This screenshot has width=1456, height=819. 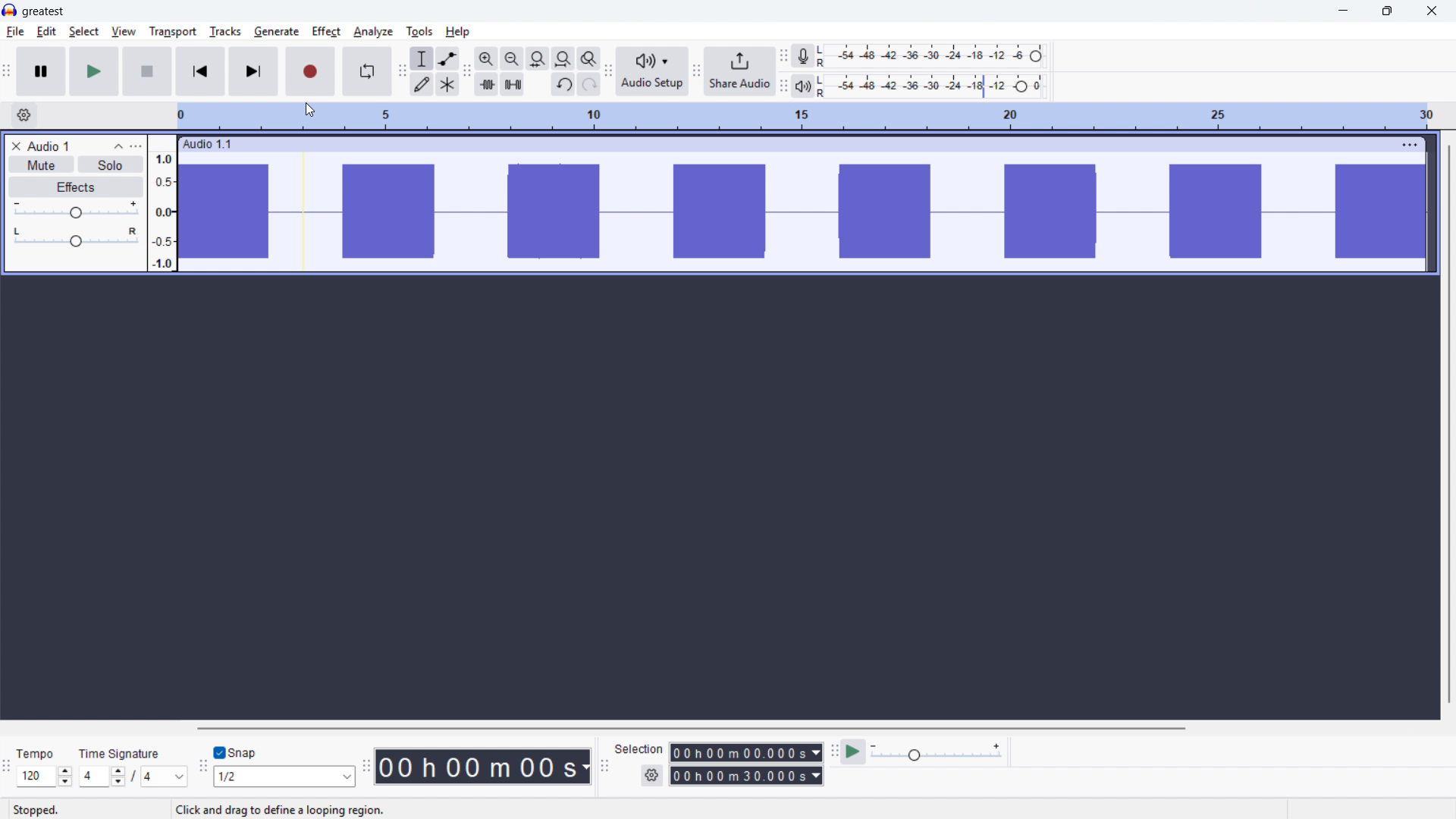 I want to click on recording level, so click(x=936, y=56).